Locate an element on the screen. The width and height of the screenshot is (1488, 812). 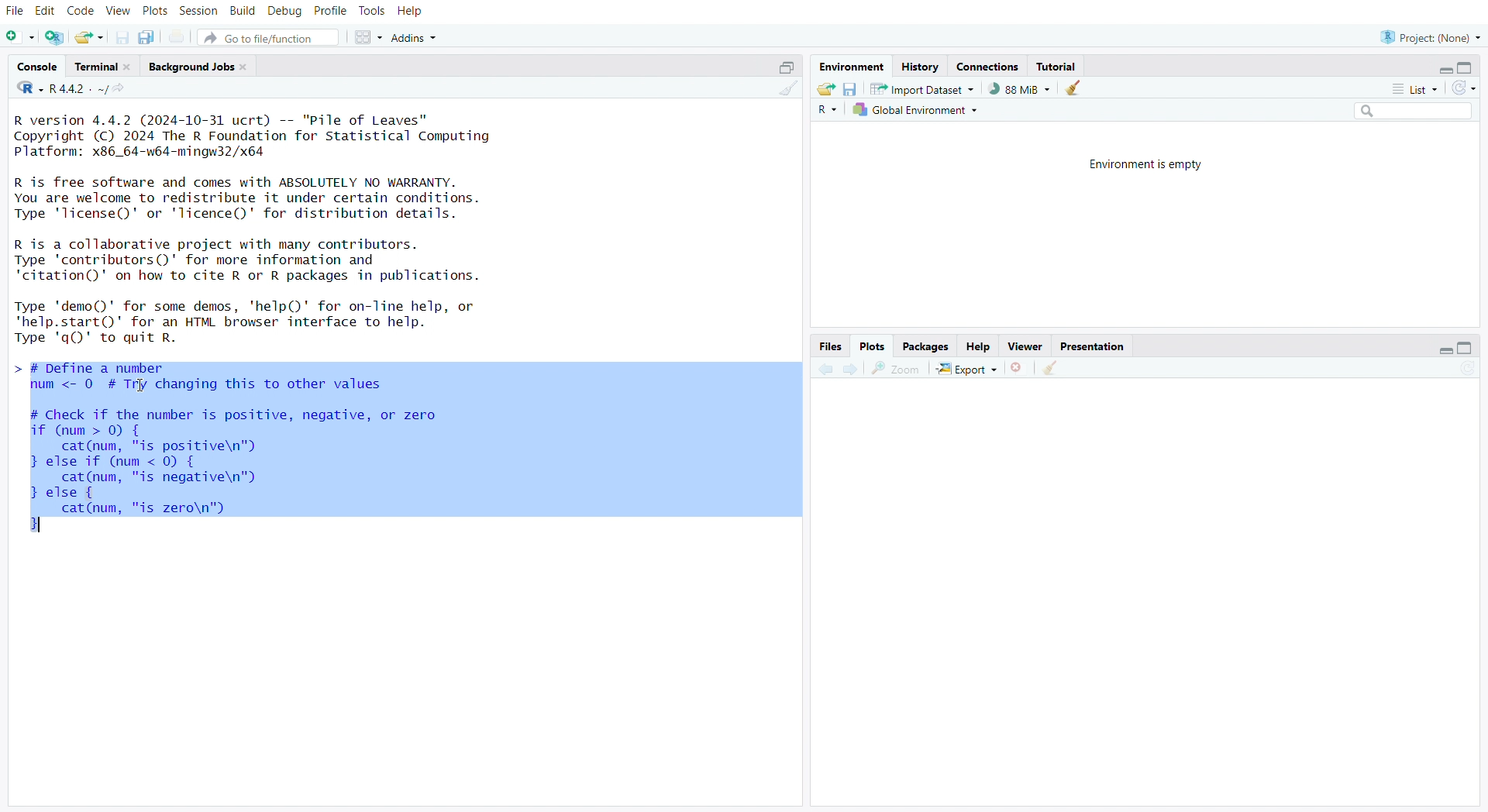
view is located at coordinates (119, 12).